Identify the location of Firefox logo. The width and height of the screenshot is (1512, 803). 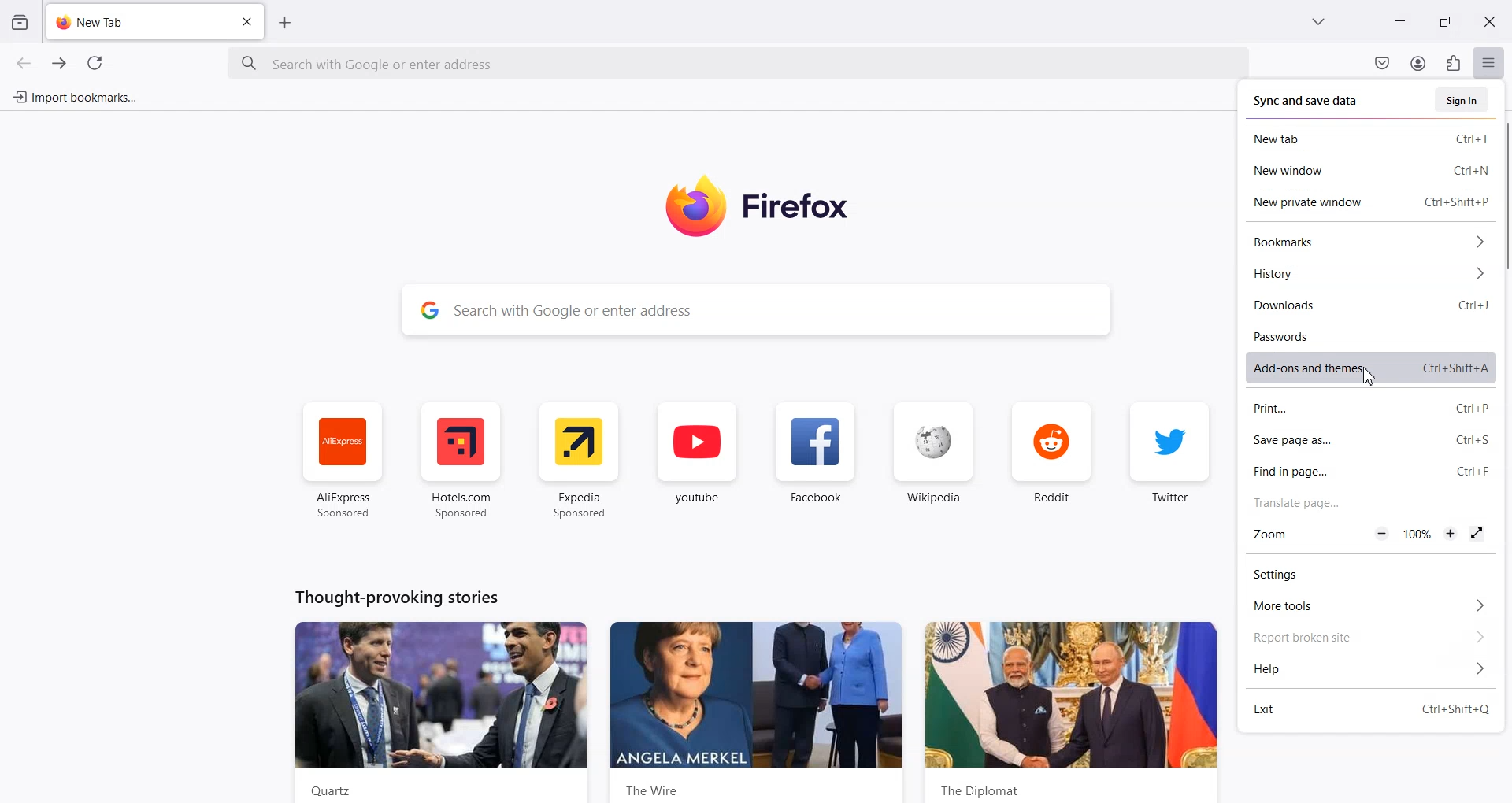
(765, 206).